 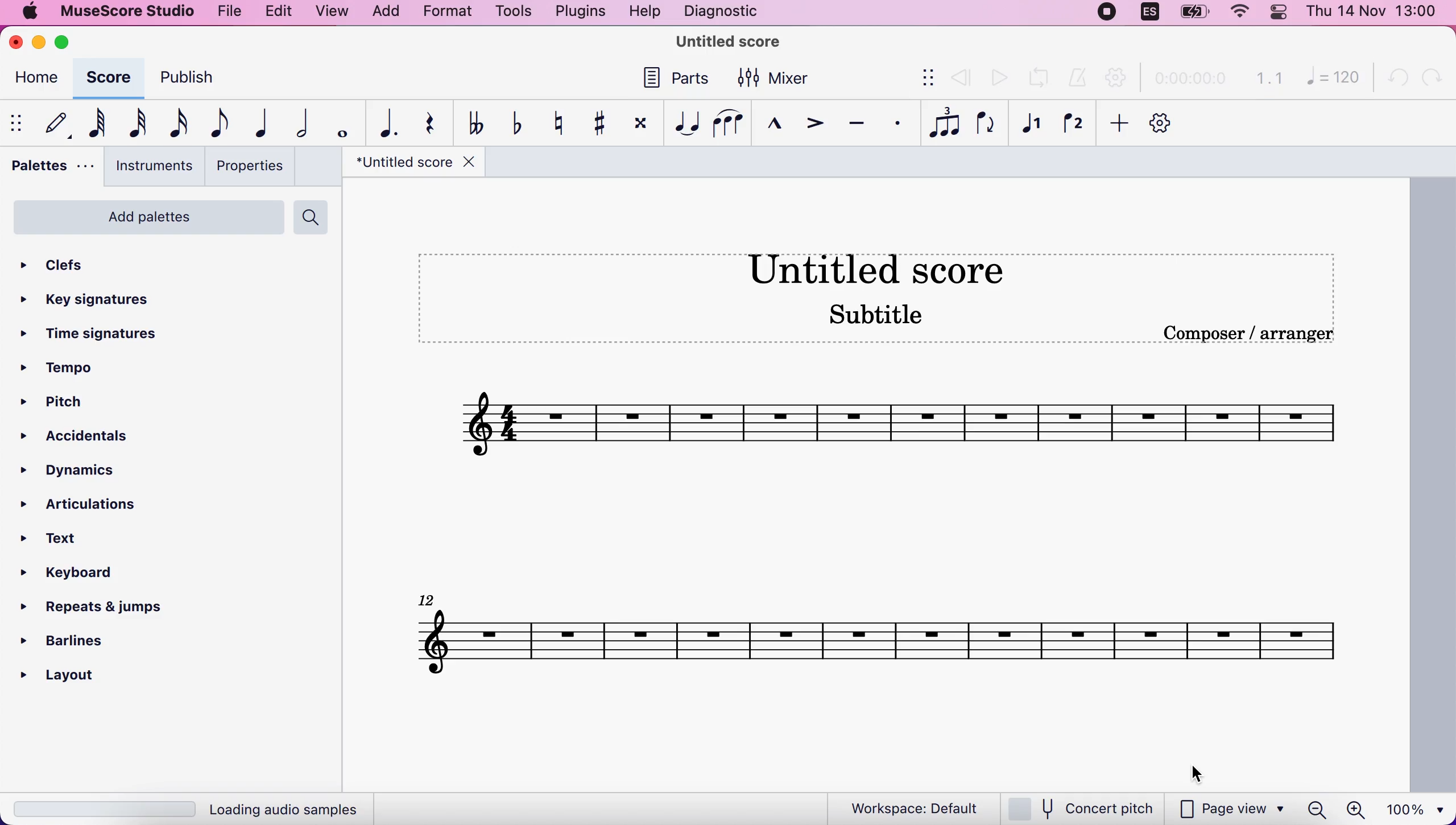 I want to click on view, so click(x=331, y=12).